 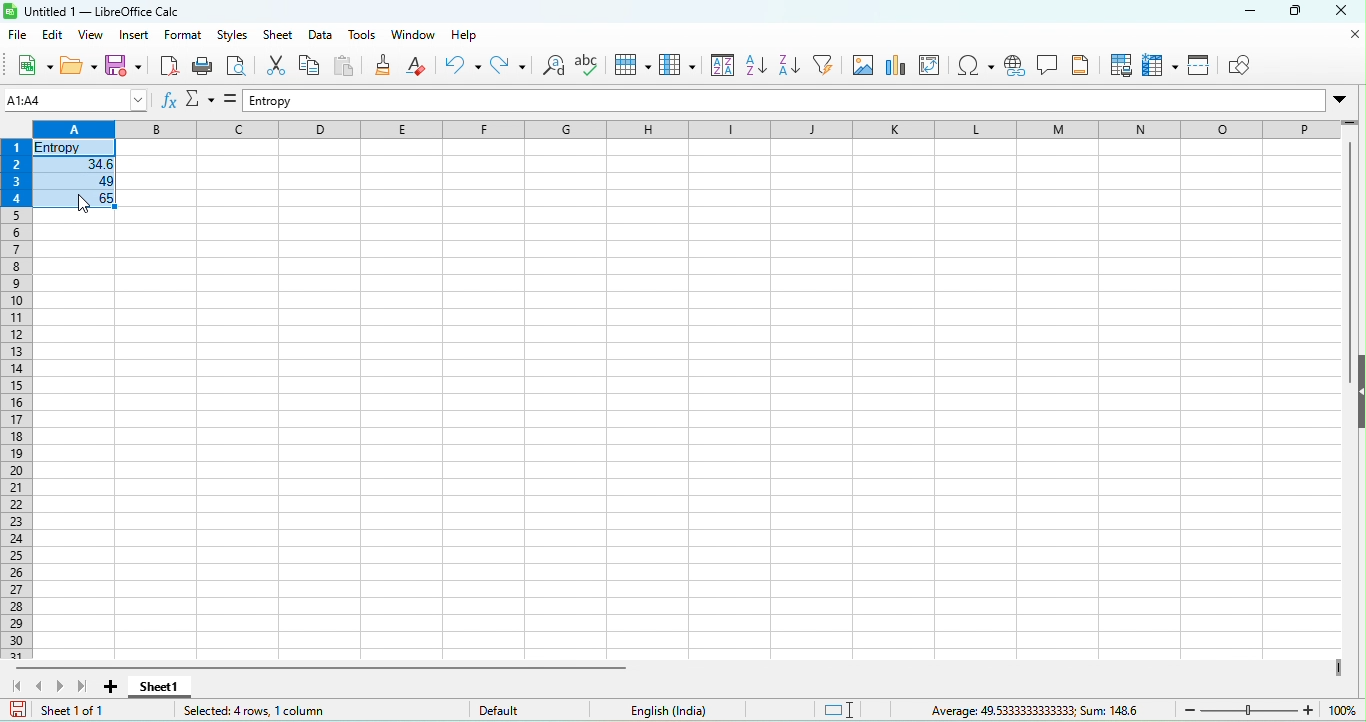 I want to click on text language, so click(x=674, y=709).